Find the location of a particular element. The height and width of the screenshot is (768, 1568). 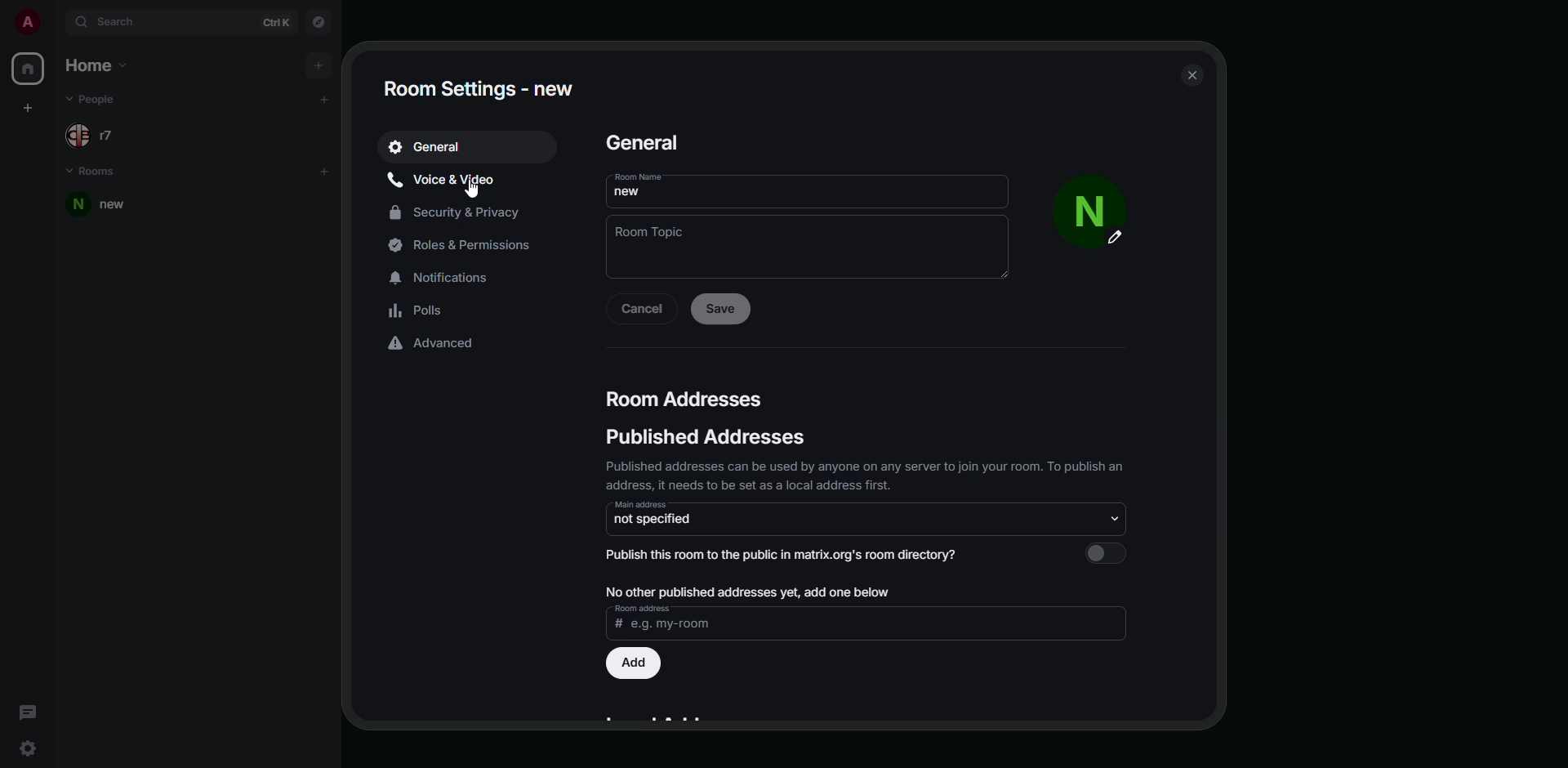

profile is located at coordinates (27, 23).